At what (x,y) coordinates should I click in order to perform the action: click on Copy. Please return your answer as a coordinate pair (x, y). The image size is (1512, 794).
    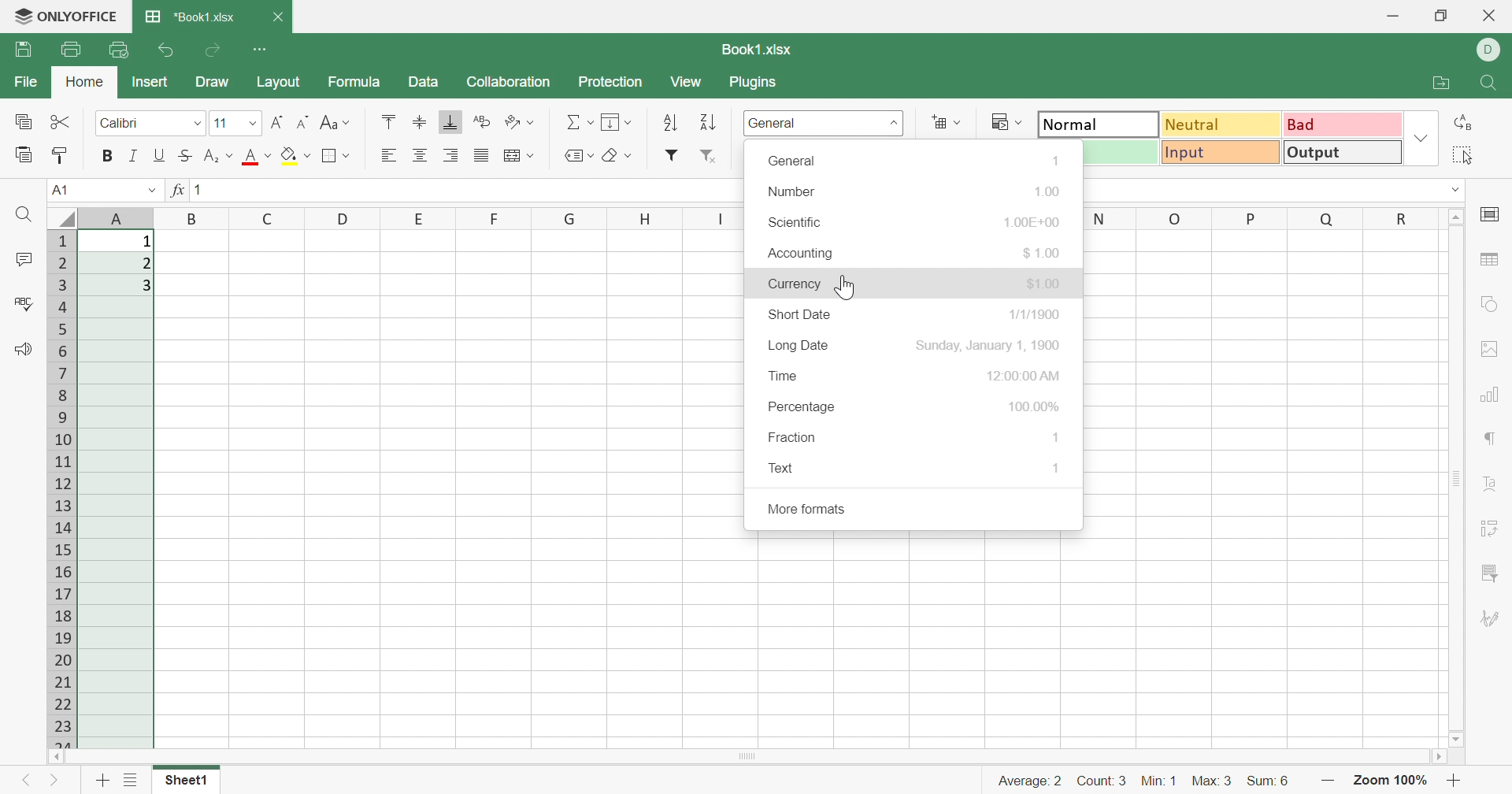
    Looking at the image, I should click on (24, 123).